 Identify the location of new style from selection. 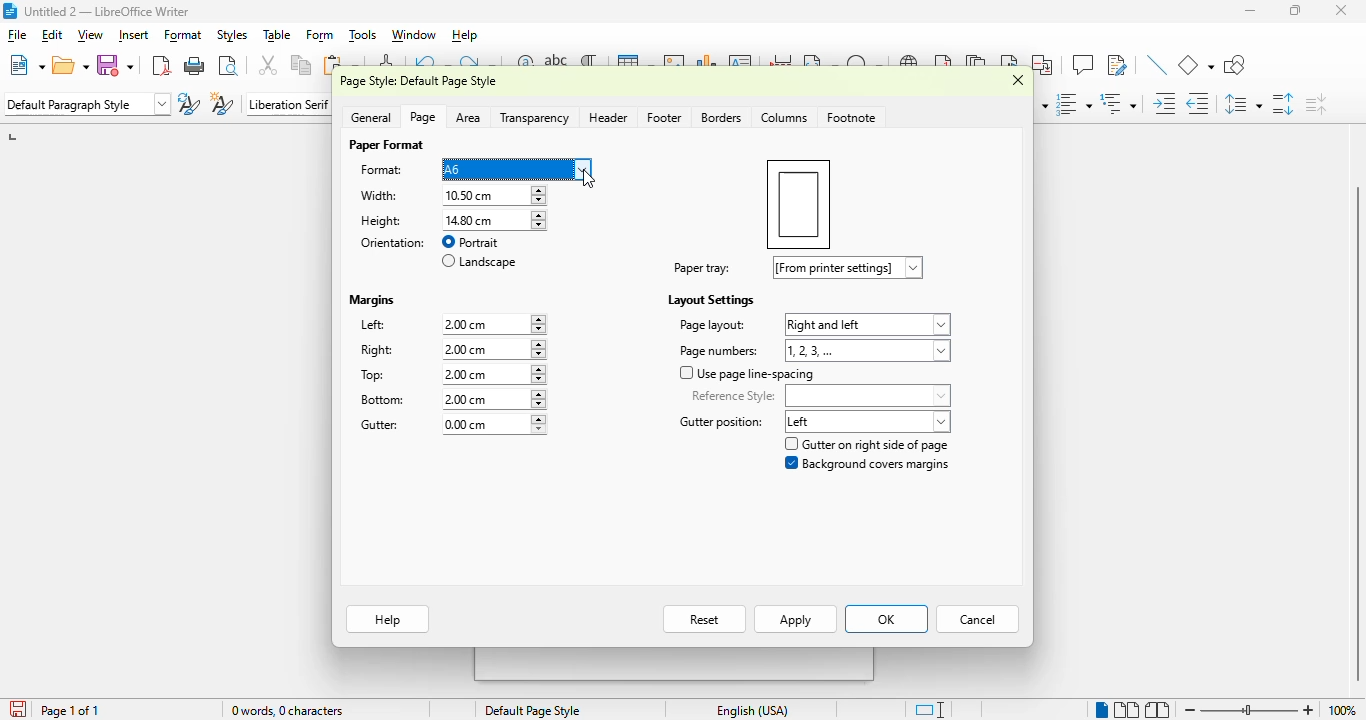
(223, 103).